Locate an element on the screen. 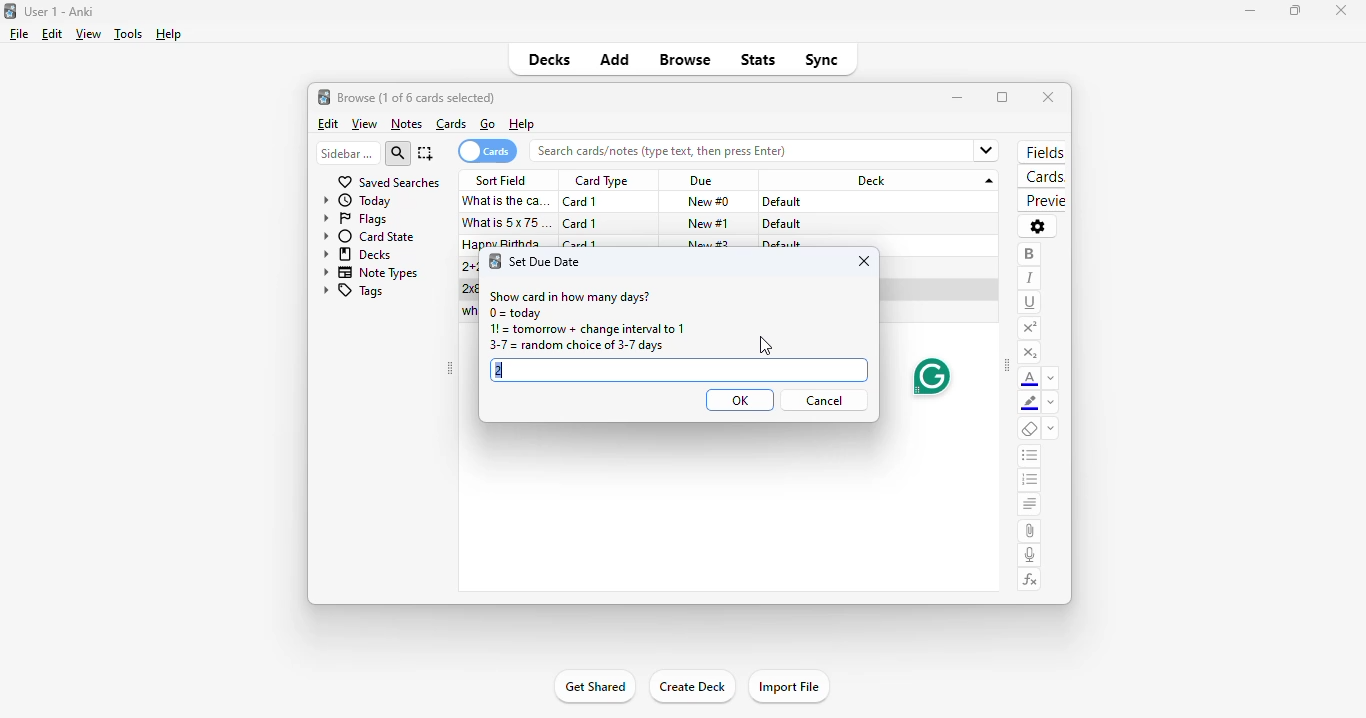 This screenshot has width=1366, height=718. decks is located at coordinates (550, 59).